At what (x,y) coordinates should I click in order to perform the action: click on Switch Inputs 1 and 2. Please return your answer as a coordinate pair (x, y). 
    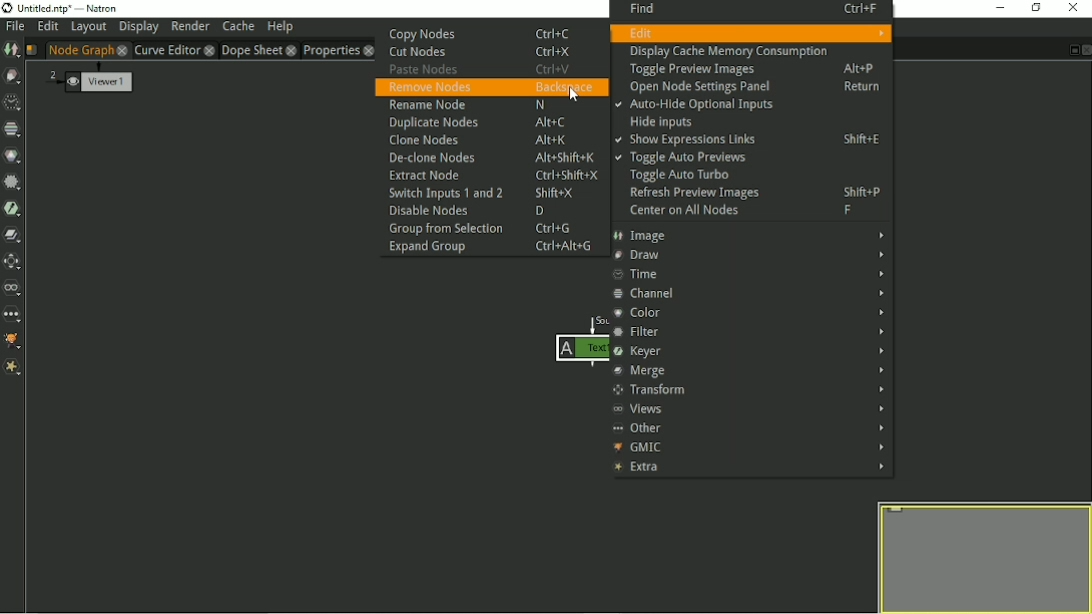
    Looking at the image, I should click on (494, 193).